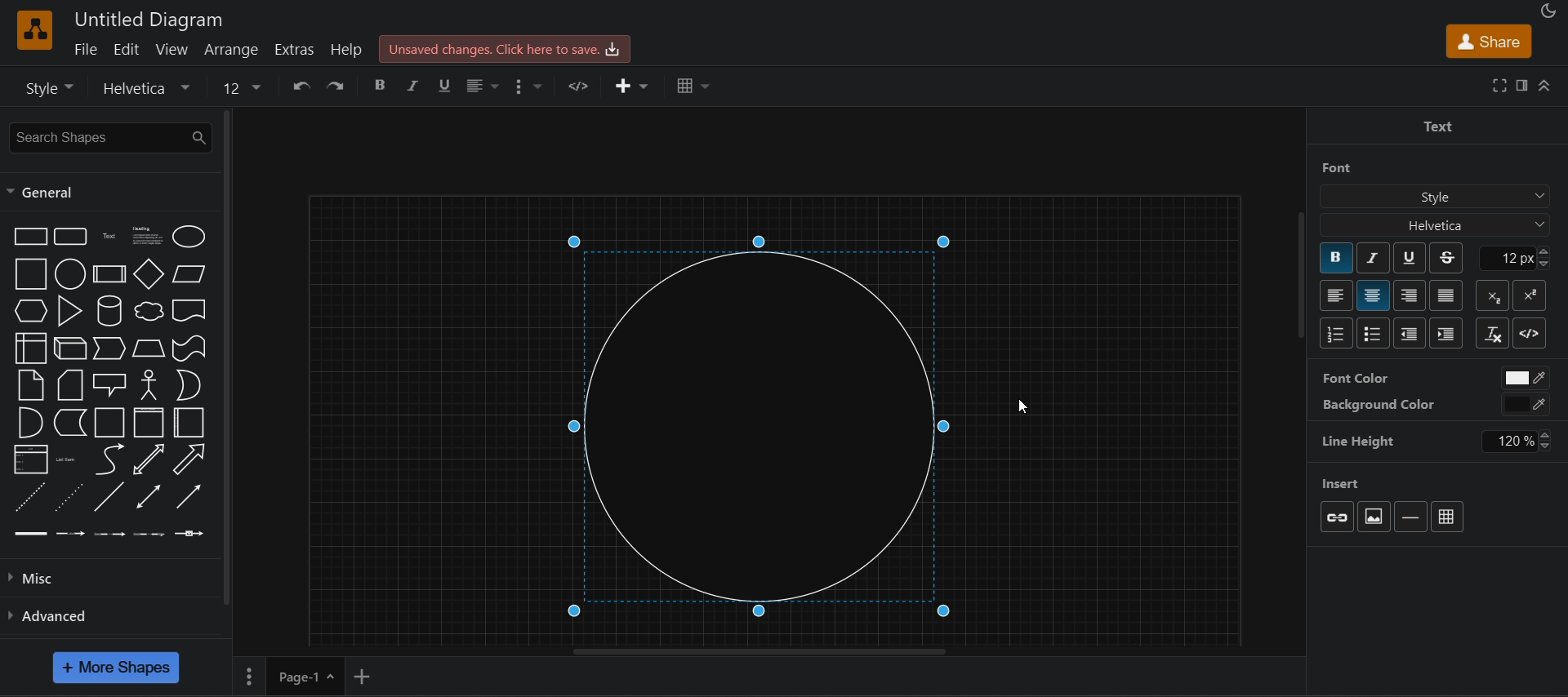 The width and height of the screenshot is (1568, 697). What do you see at coordinates (1434, 224) in the screenshot?
I see `helvetica` at bounding box center [1434, 224].